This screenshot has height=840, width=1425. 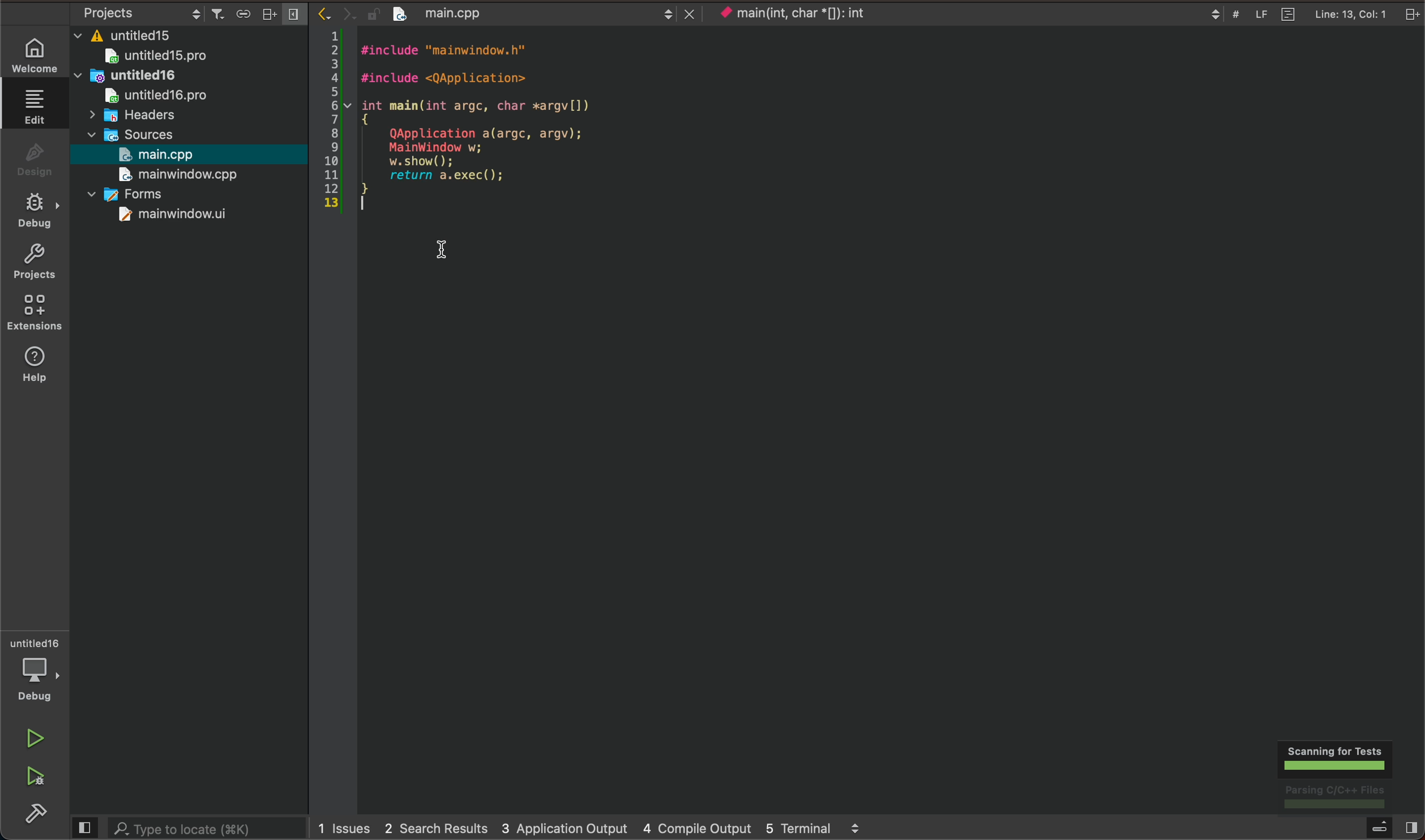 I want to click on files and folders, so click(x=196, y=33).